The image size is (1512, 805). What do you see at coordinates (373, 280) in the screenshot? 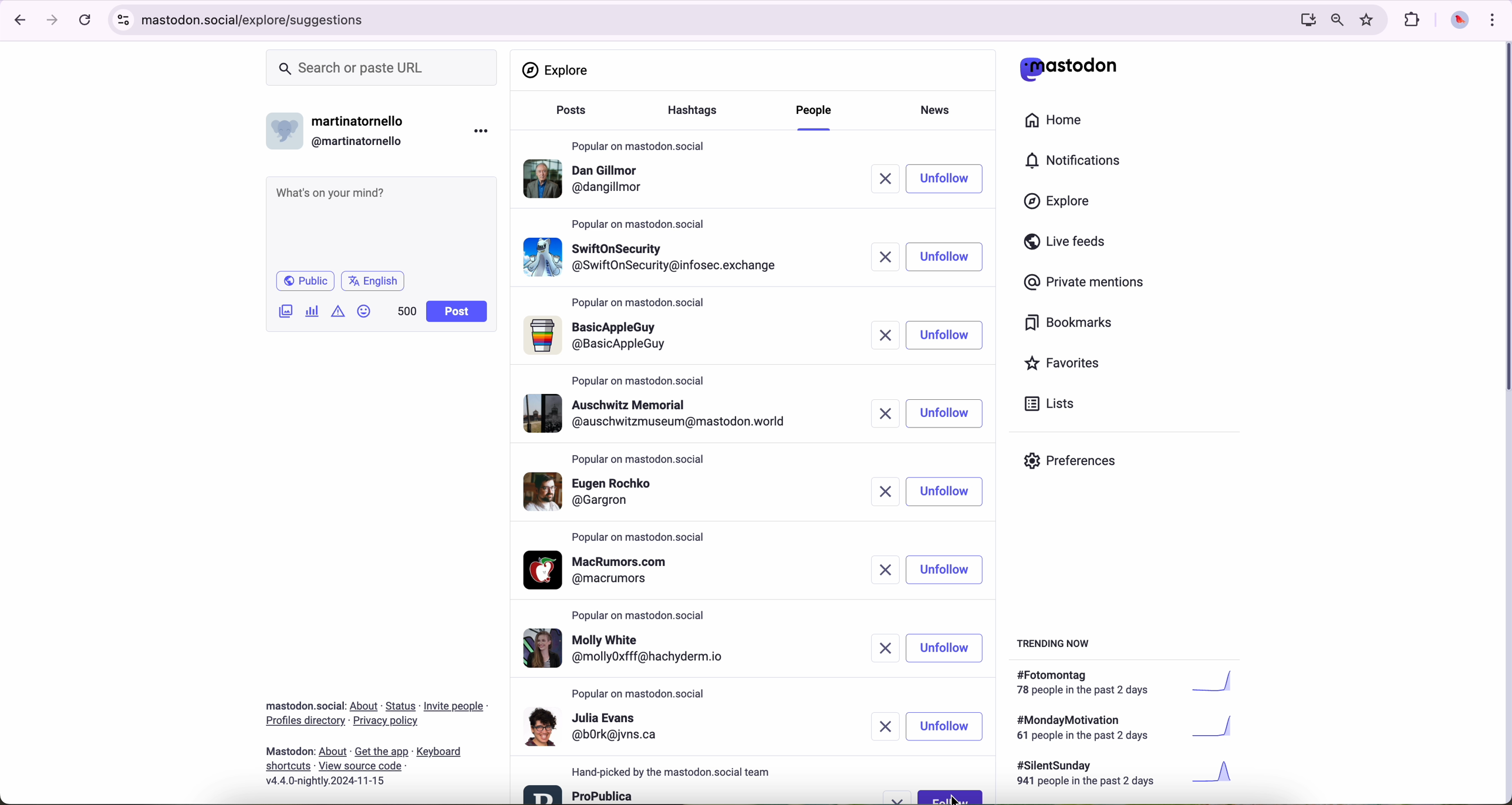
I see `language` at bounding box center [373, 280].